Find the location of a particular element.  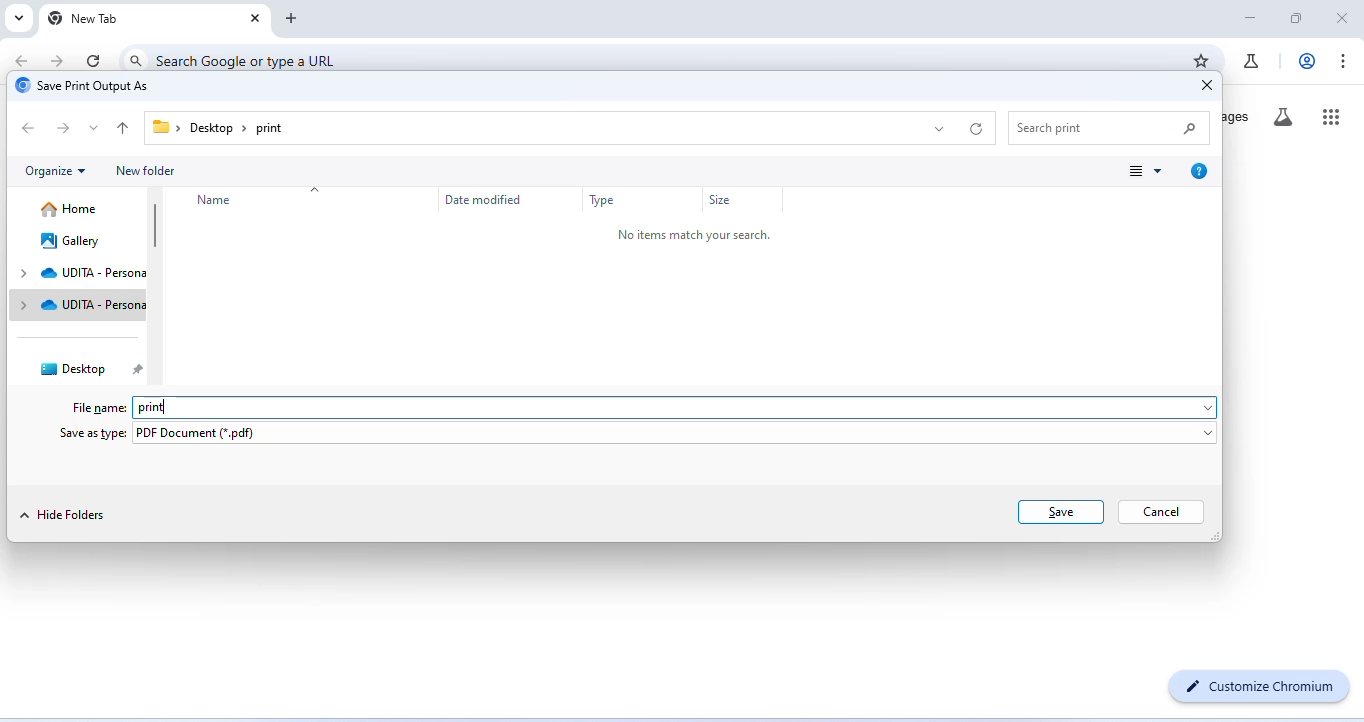

name is located at coordinates (216, 200).